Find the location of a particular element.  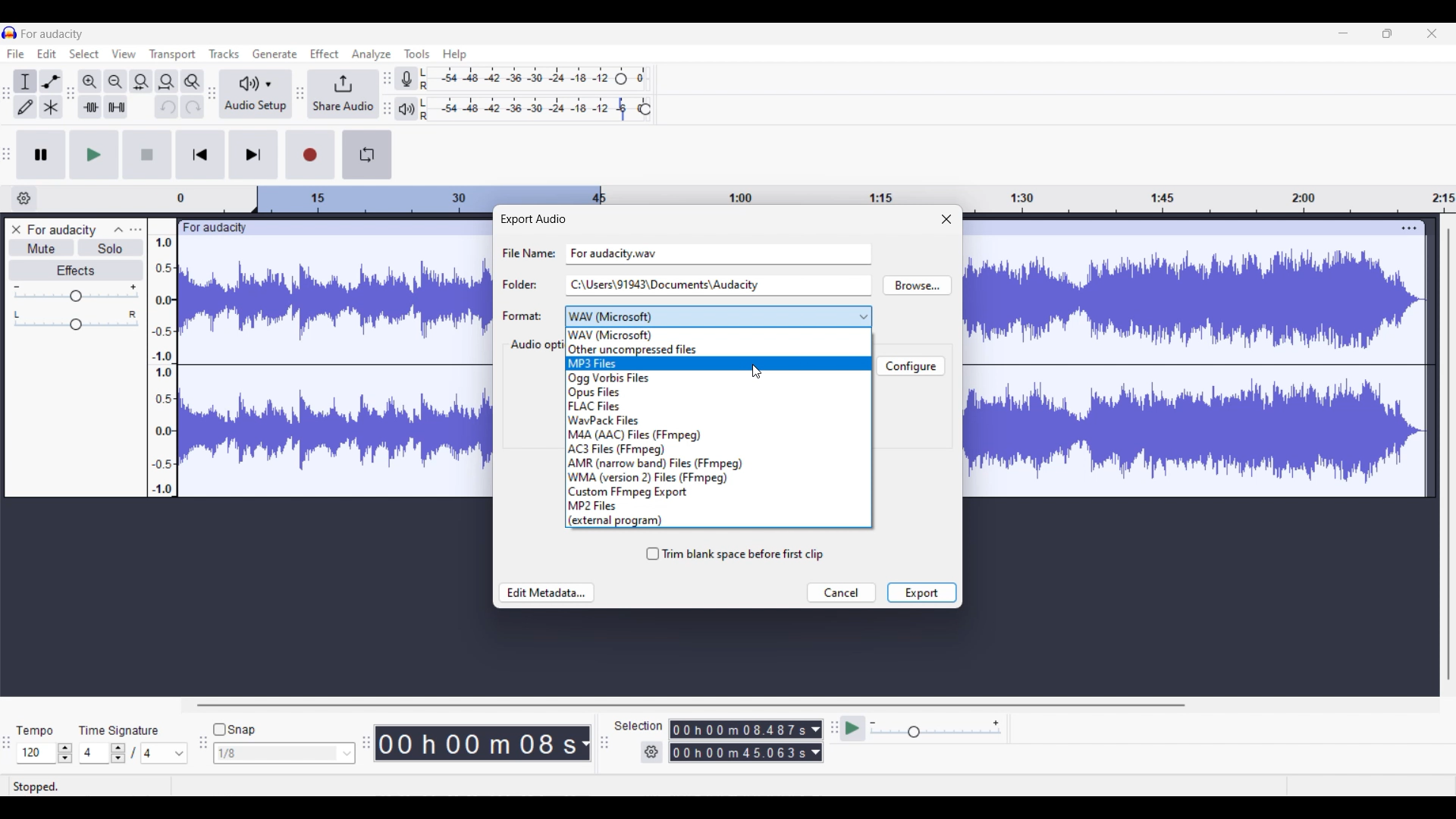

Tracks menu is located at coordinates (224, 54).